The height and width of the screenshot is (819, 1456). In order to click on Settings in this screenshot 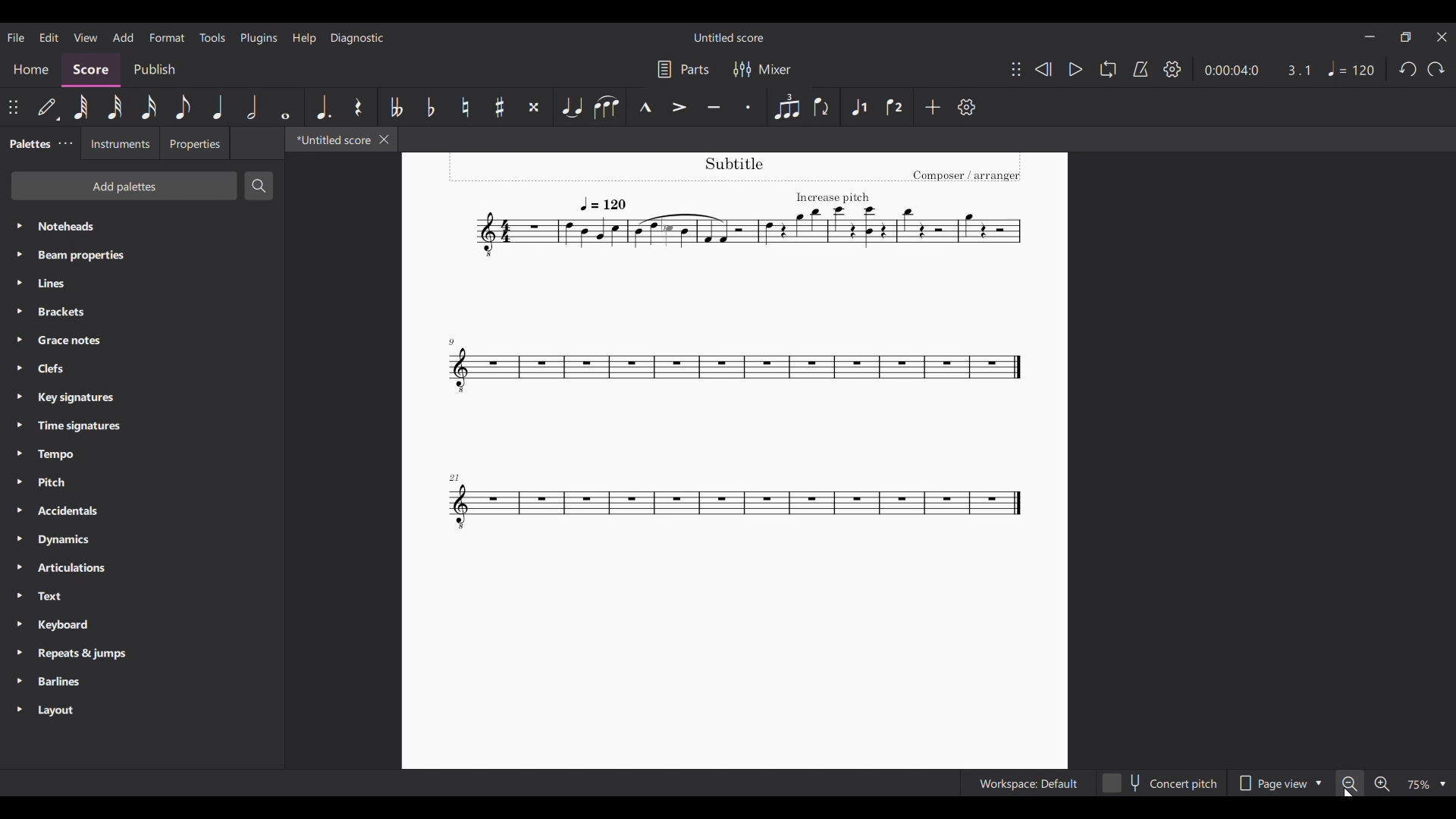, I will do `click(1173, 69)`.